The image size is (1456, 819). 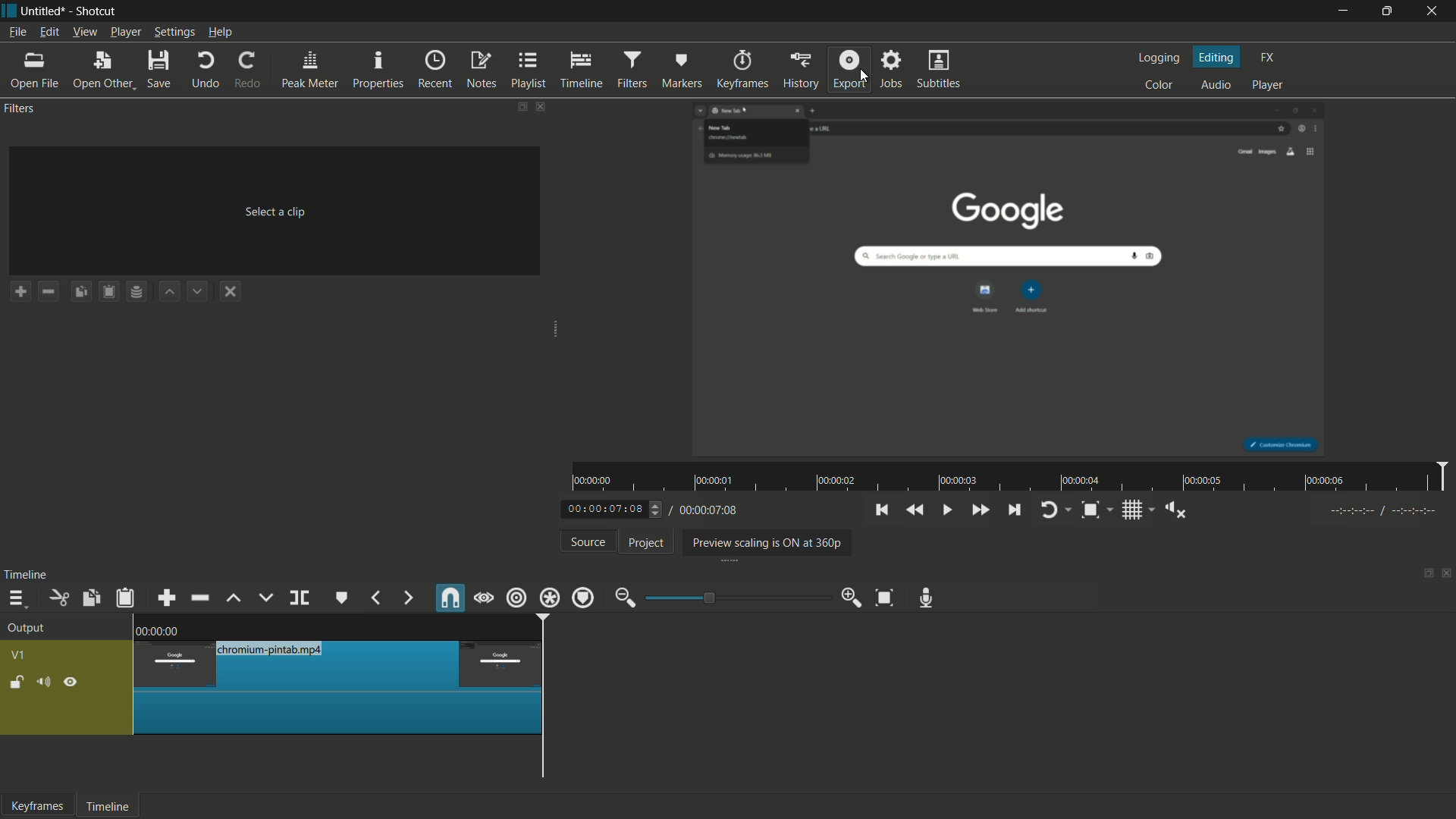 What do you see at coordinates (162, 629) in the screenshot?
I see `0.00` at bounding box center [162, 629].